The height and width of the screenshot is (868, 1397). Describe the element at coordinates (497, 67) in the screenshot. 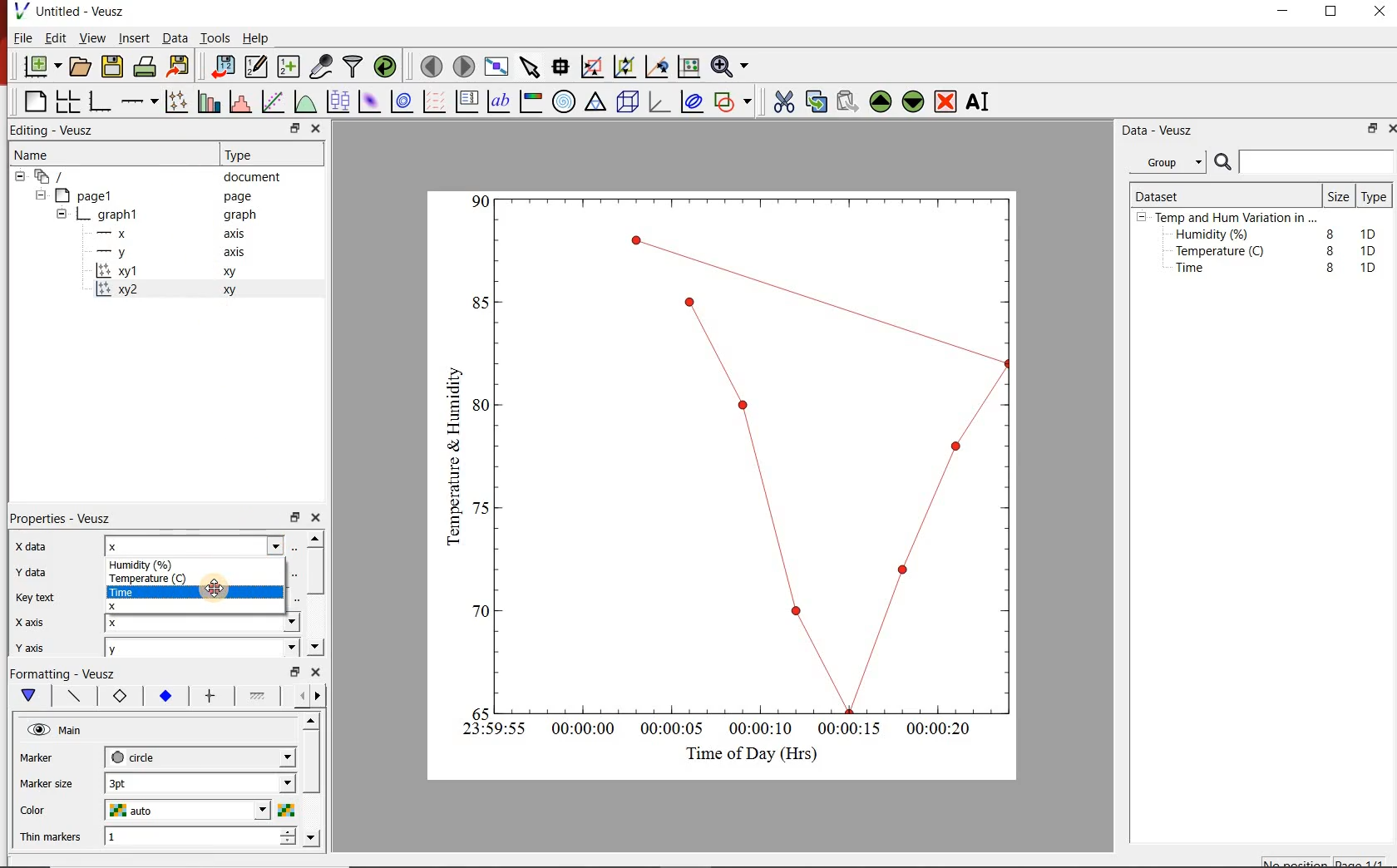

I see `view plot full screen` at that location.